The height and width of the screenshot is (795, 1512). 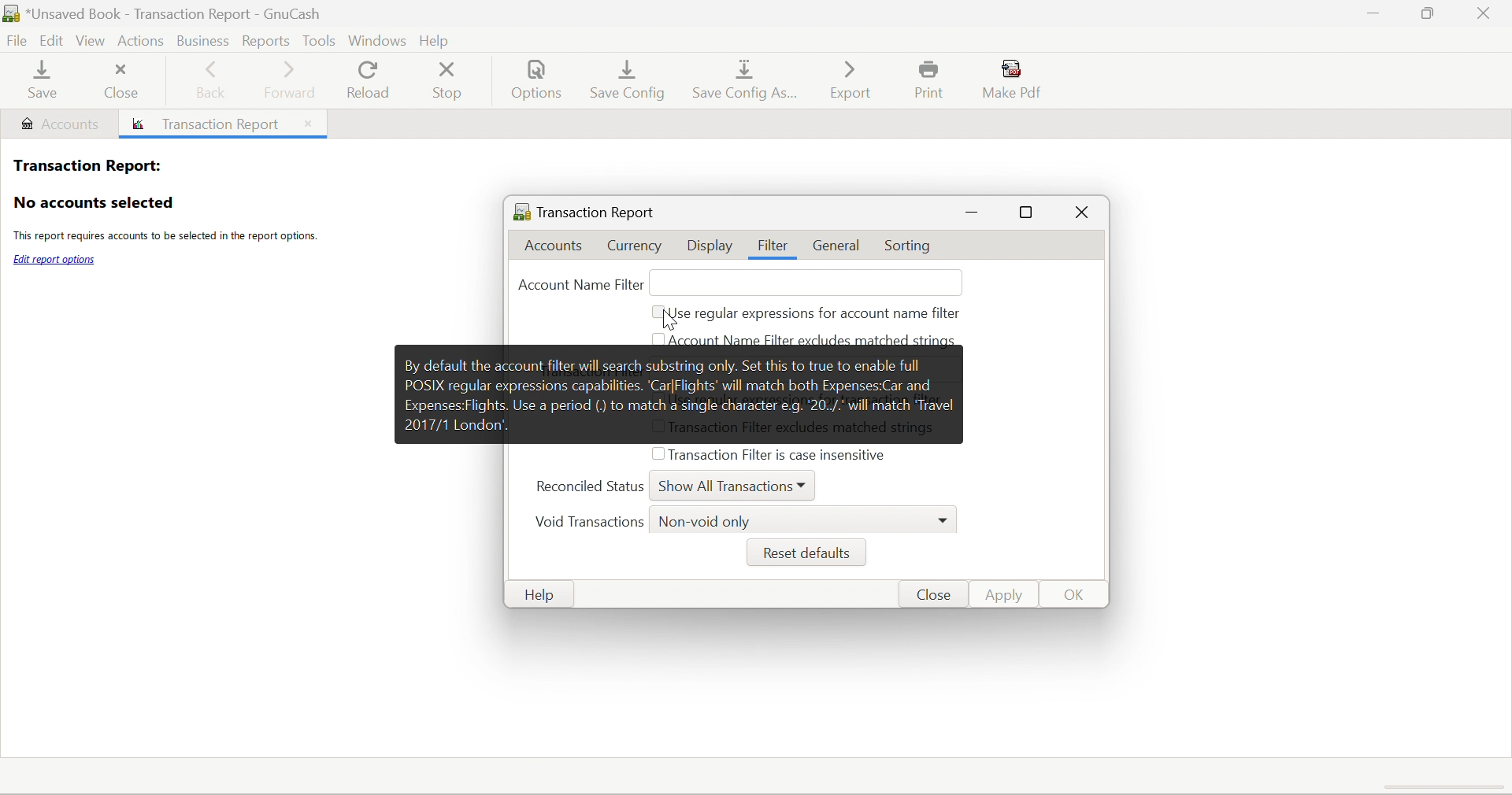 What do you see at coordinates (630, 79) in the screenshot?
I see `Save Config` at bounding box center [630, 79].